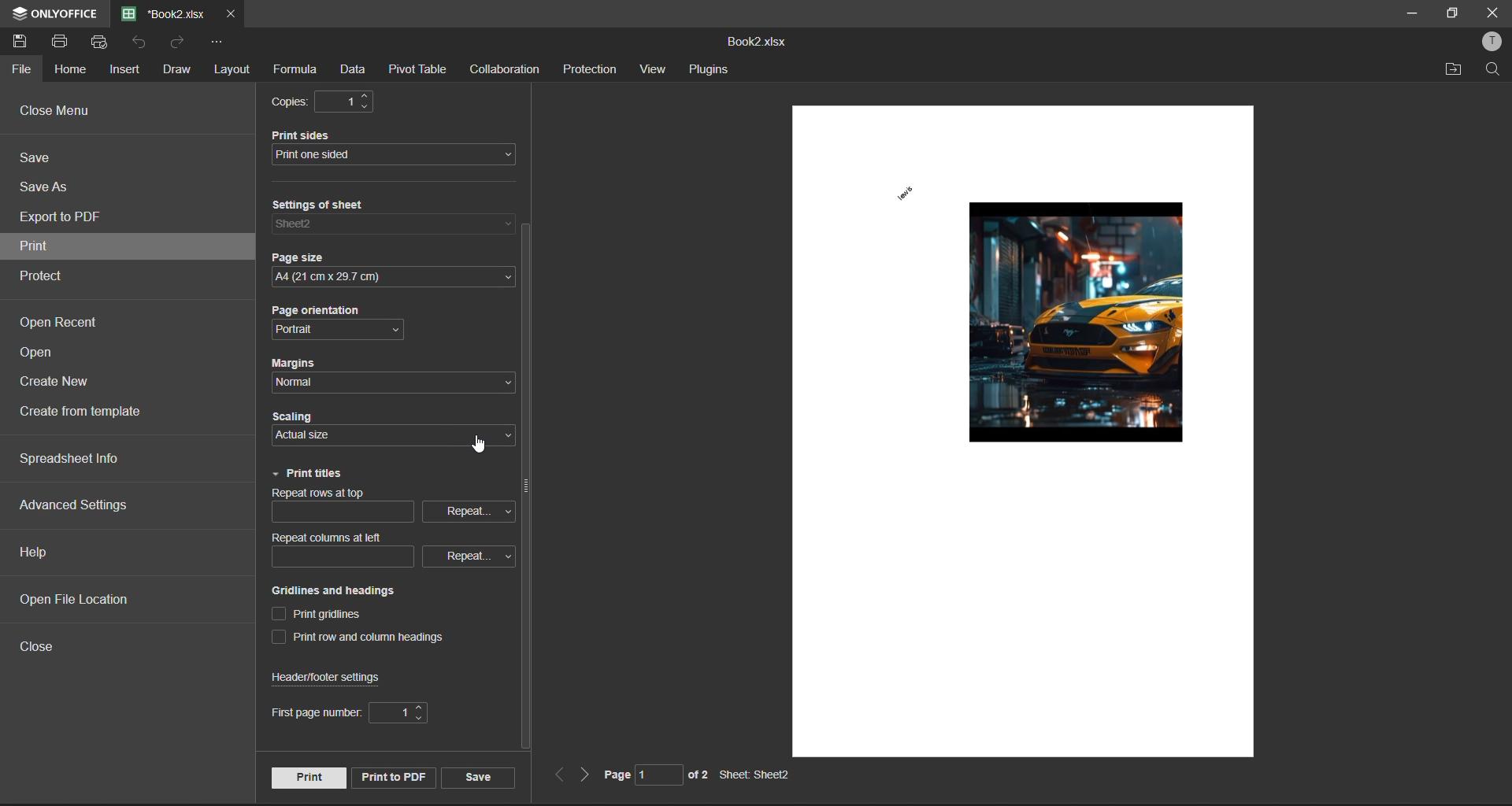 This screenshot has width=1512, height=806. Describe the element at coordinates (86, 459) in the screenshot. I see `spreadsheet info` at that location.